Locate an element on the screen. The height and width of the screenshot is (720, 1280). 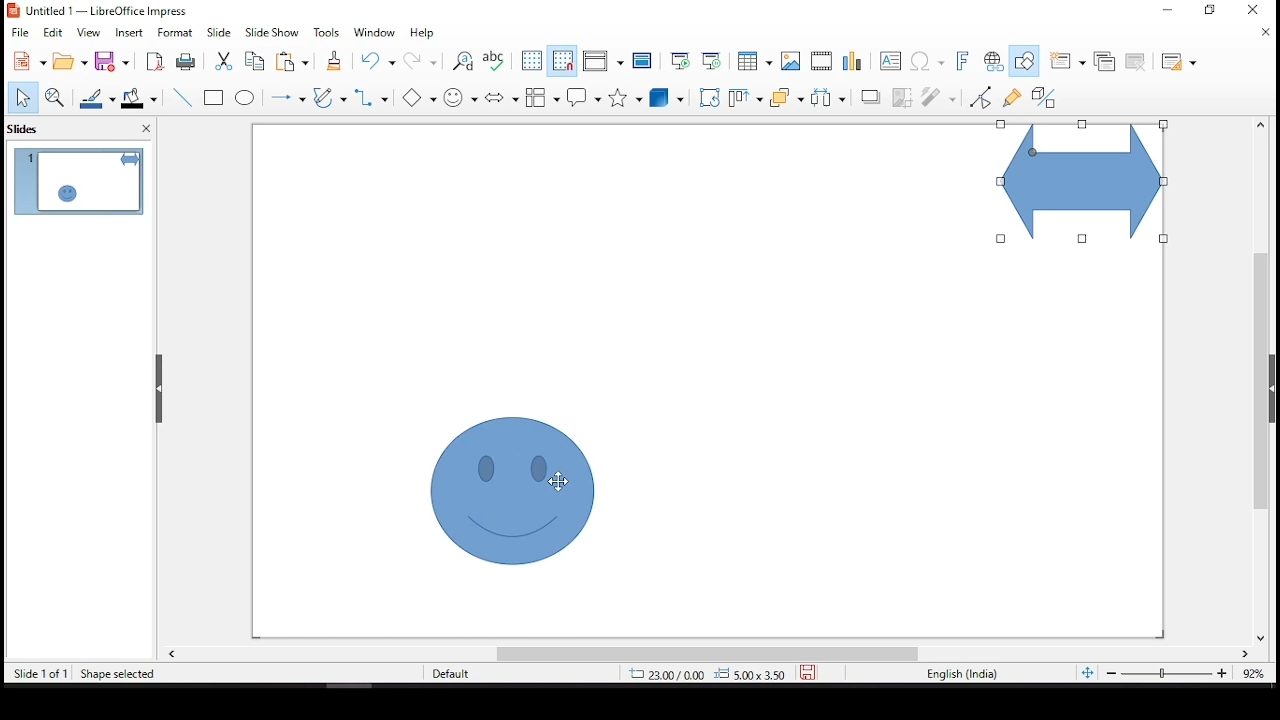
connectors is located at coordinates (370, 97).